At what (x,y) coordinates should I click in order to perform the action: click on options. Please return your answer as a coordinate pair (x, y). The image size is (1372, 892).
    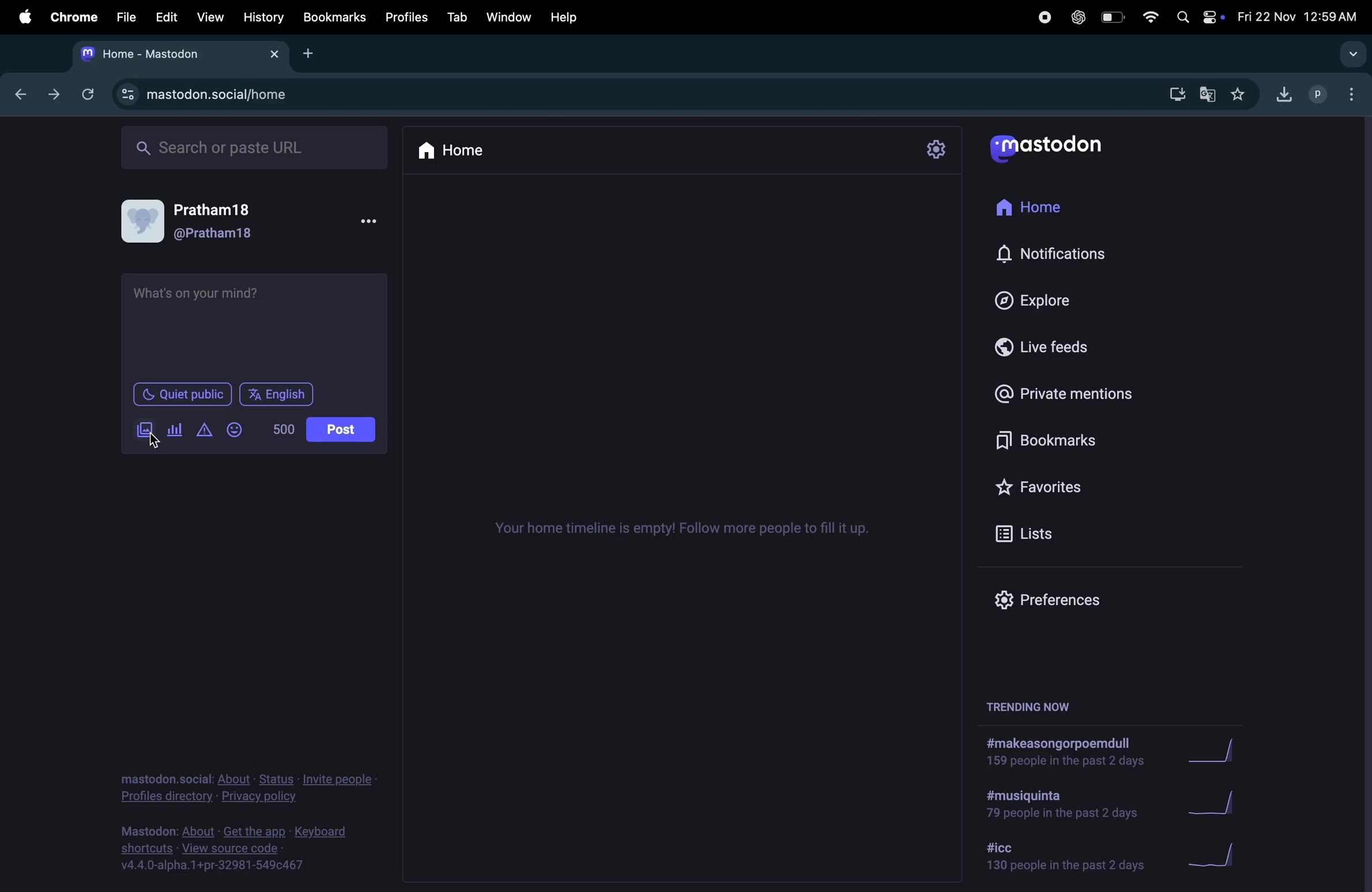
    Looking at the image, I should click on (1348, 91).